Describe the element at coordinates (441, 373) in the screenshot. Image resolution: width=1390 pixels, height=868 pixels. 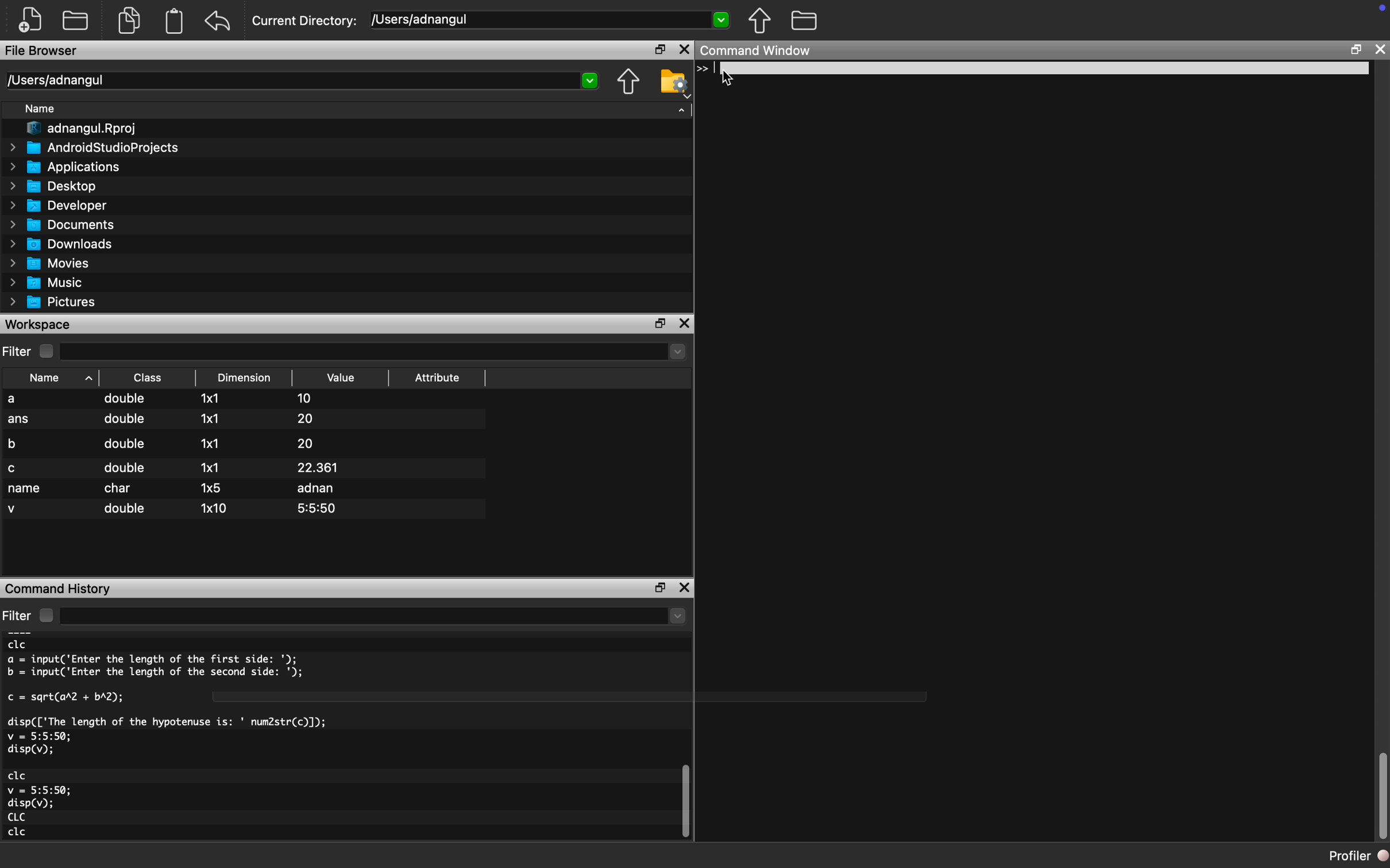
I see `Attribute` at that location.